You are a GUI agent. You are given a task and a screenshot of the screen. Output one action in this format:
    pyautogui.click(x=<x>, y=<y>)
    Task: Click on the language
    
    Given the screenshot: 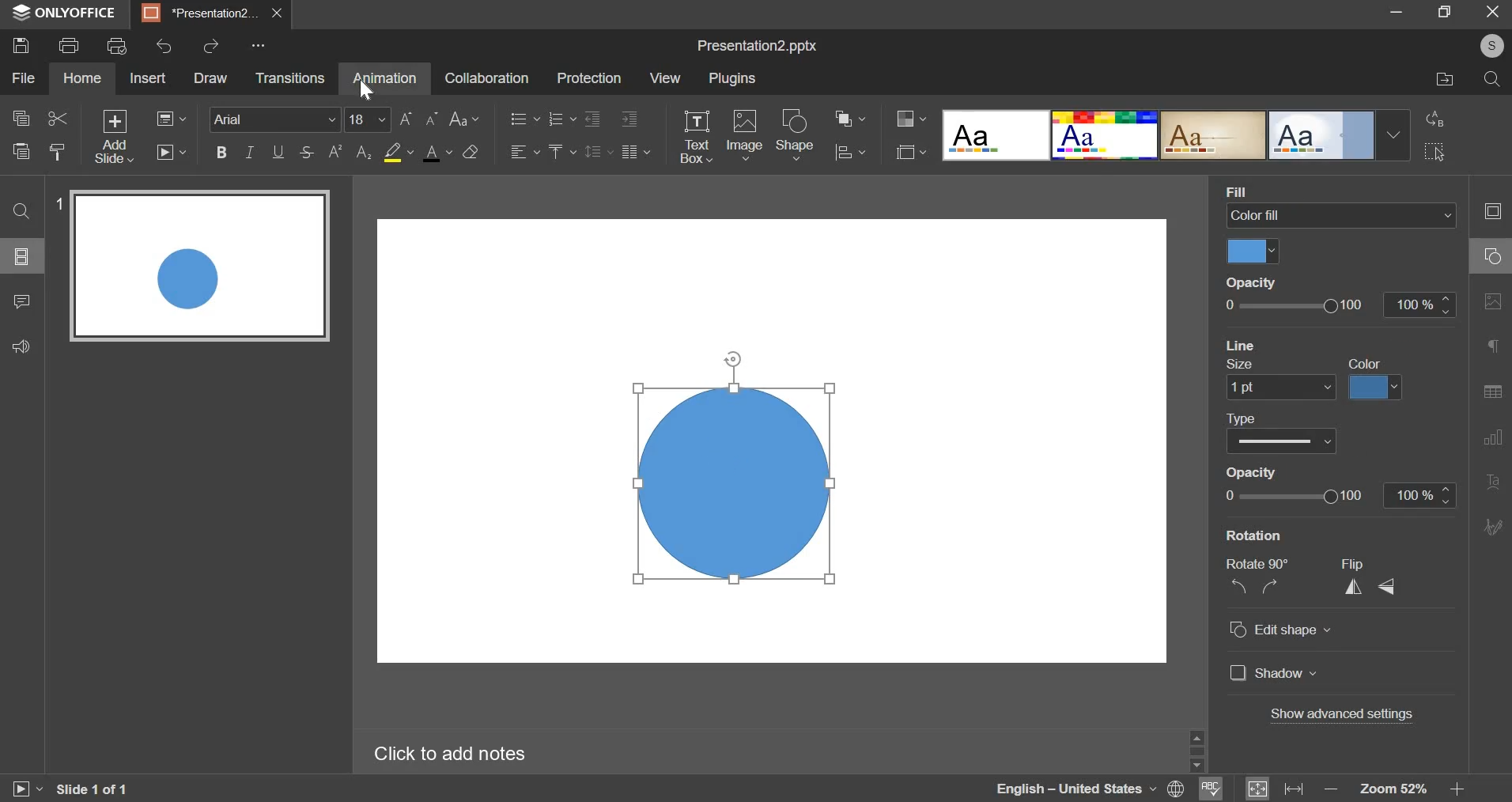 What is the action you would take?
    pyautogui.click(x=1090, y=789)
    